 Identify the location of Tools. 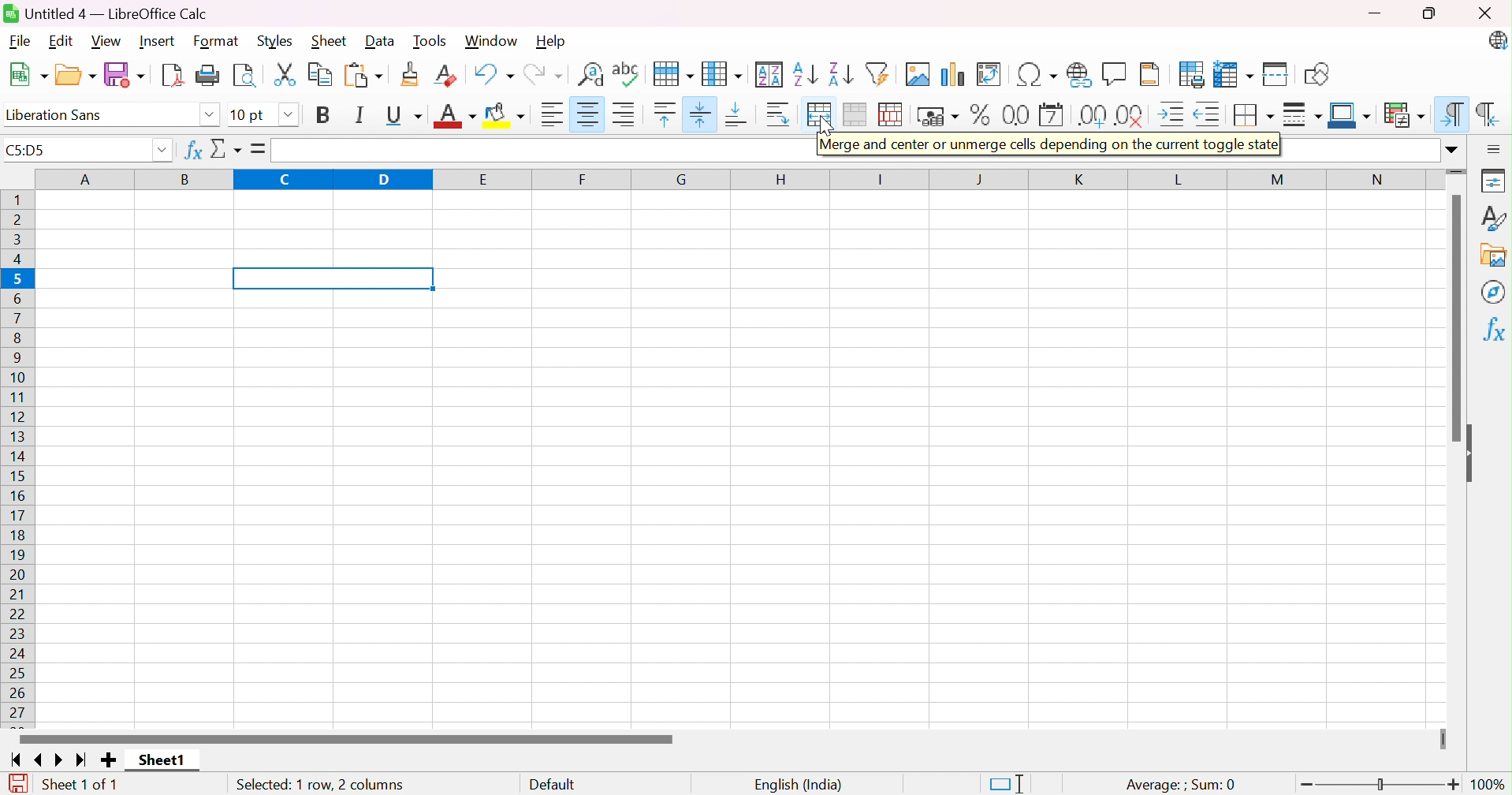
(431, 40).